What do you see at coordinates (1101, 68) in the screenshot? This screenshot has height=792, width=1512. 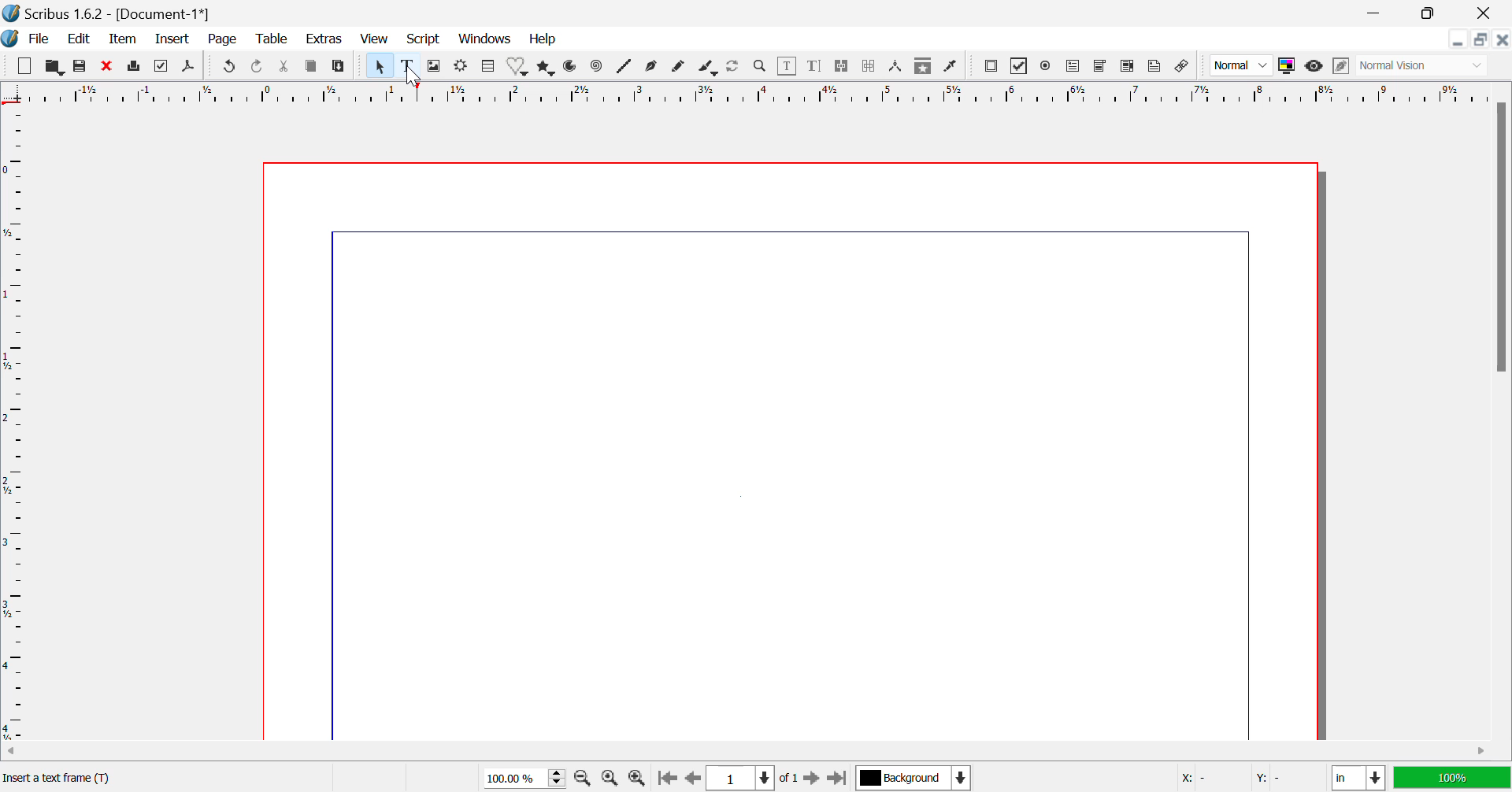 I see `Pdf Combo box` at bounding box center [1101, 68].